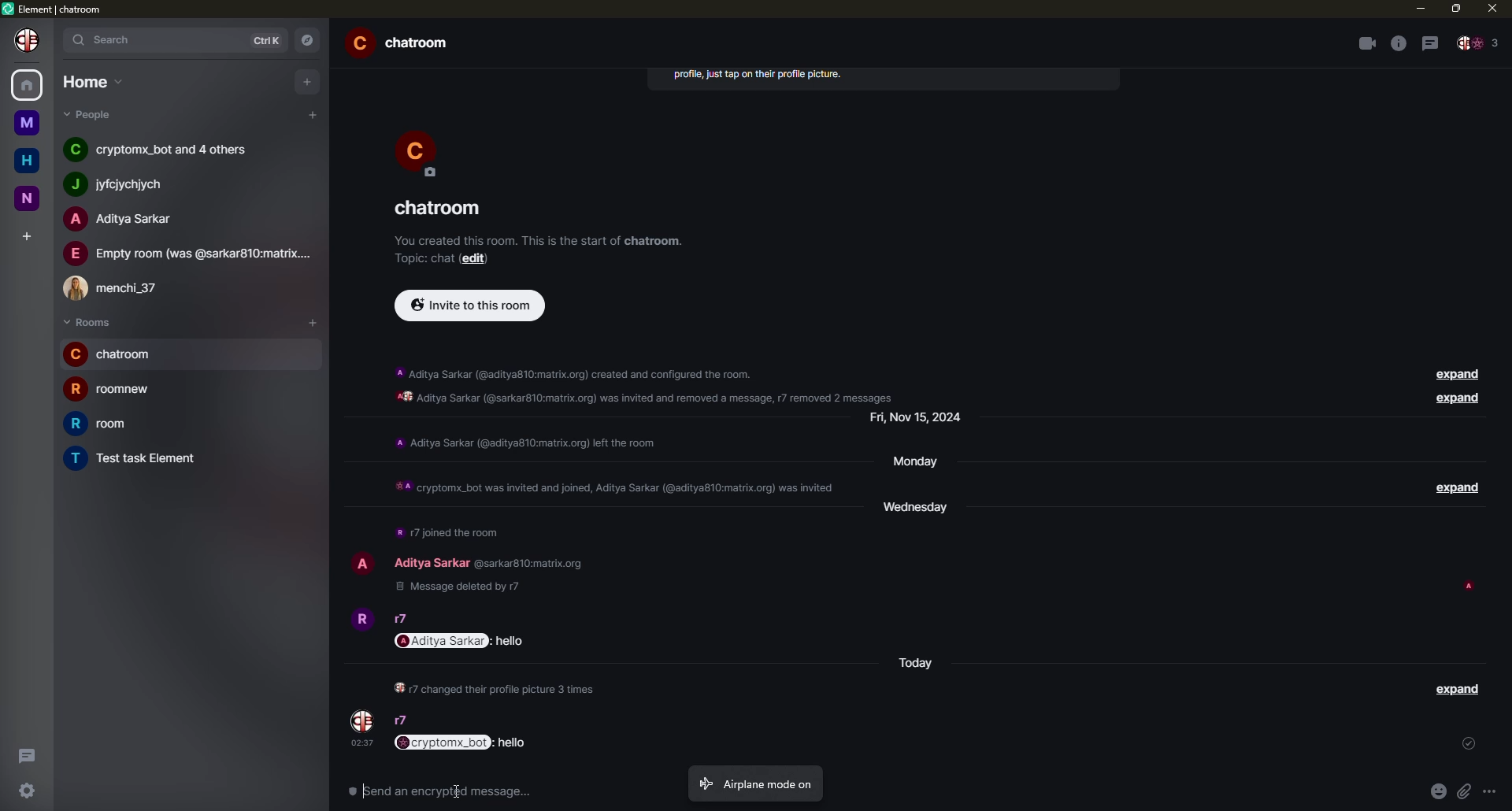 Image resolution: width=1512 pixels, height=811 pixels. I want to click on sent, so click(1469, 743).